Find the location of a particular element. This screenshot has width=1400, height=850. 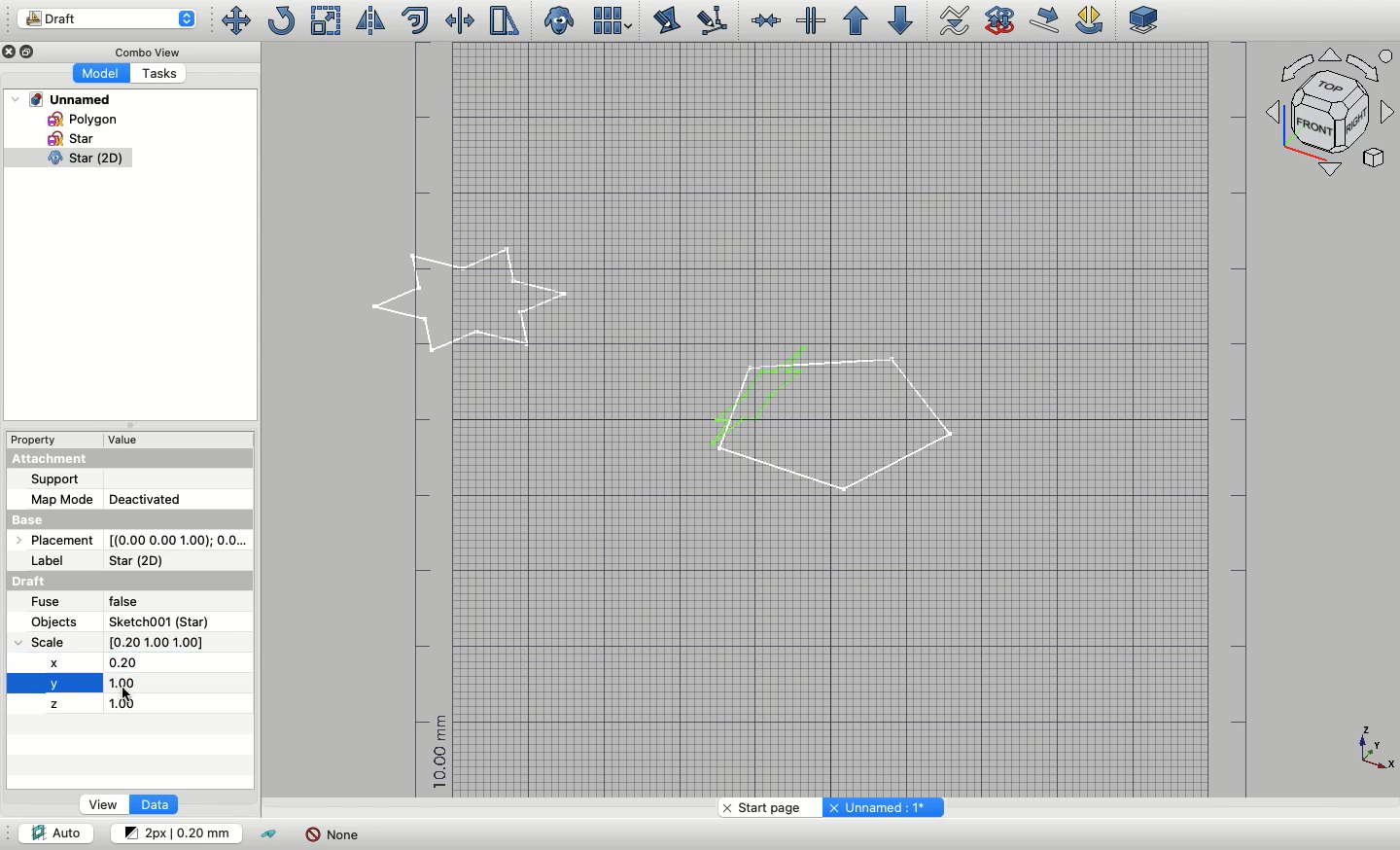

Collapse is located at coordinates (30, 52).